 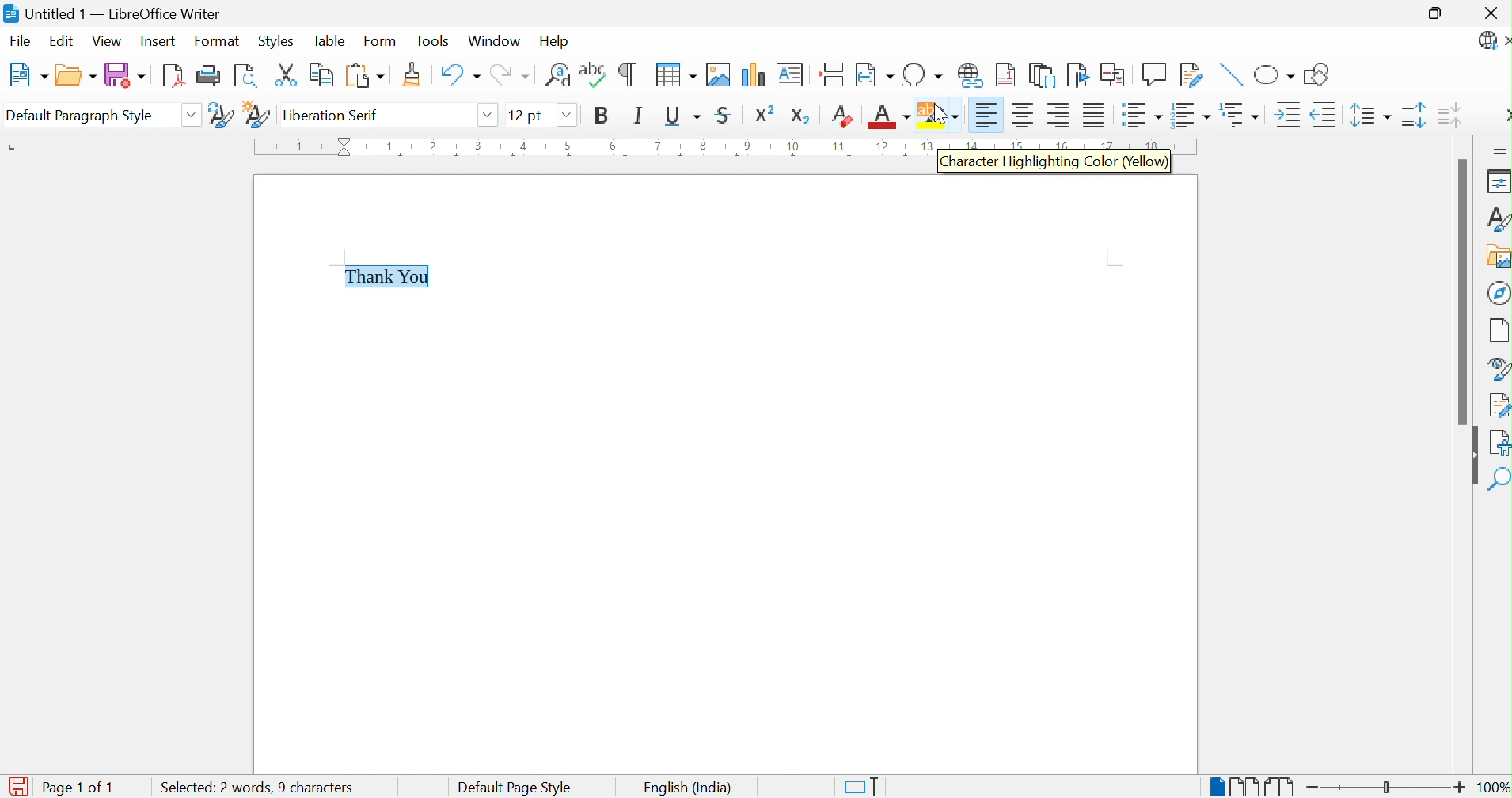 I want to click on More, so click(x=1503, y=116).